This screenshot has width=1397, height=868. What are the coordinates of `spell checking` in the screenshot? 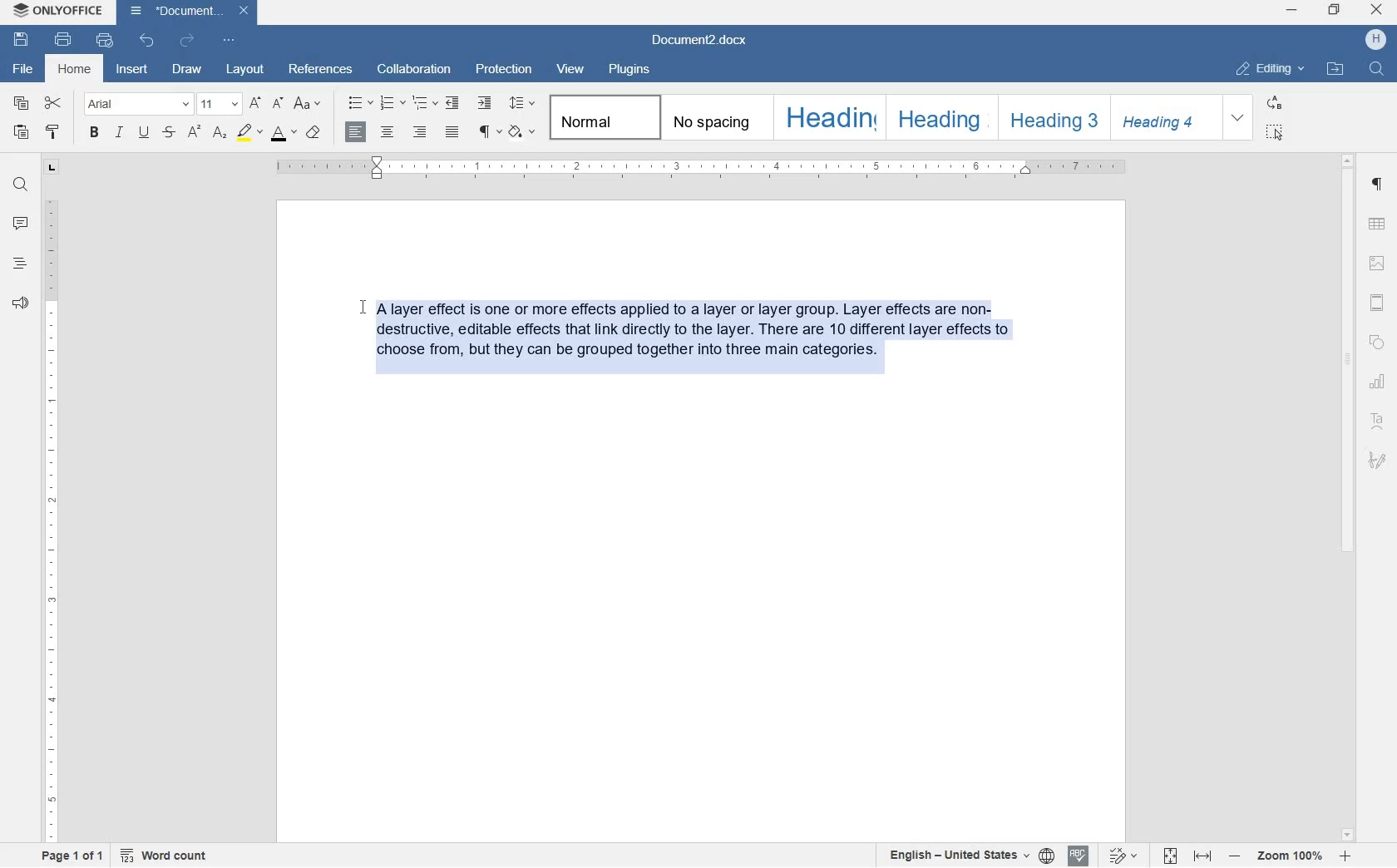 It's located at (1078, 856).